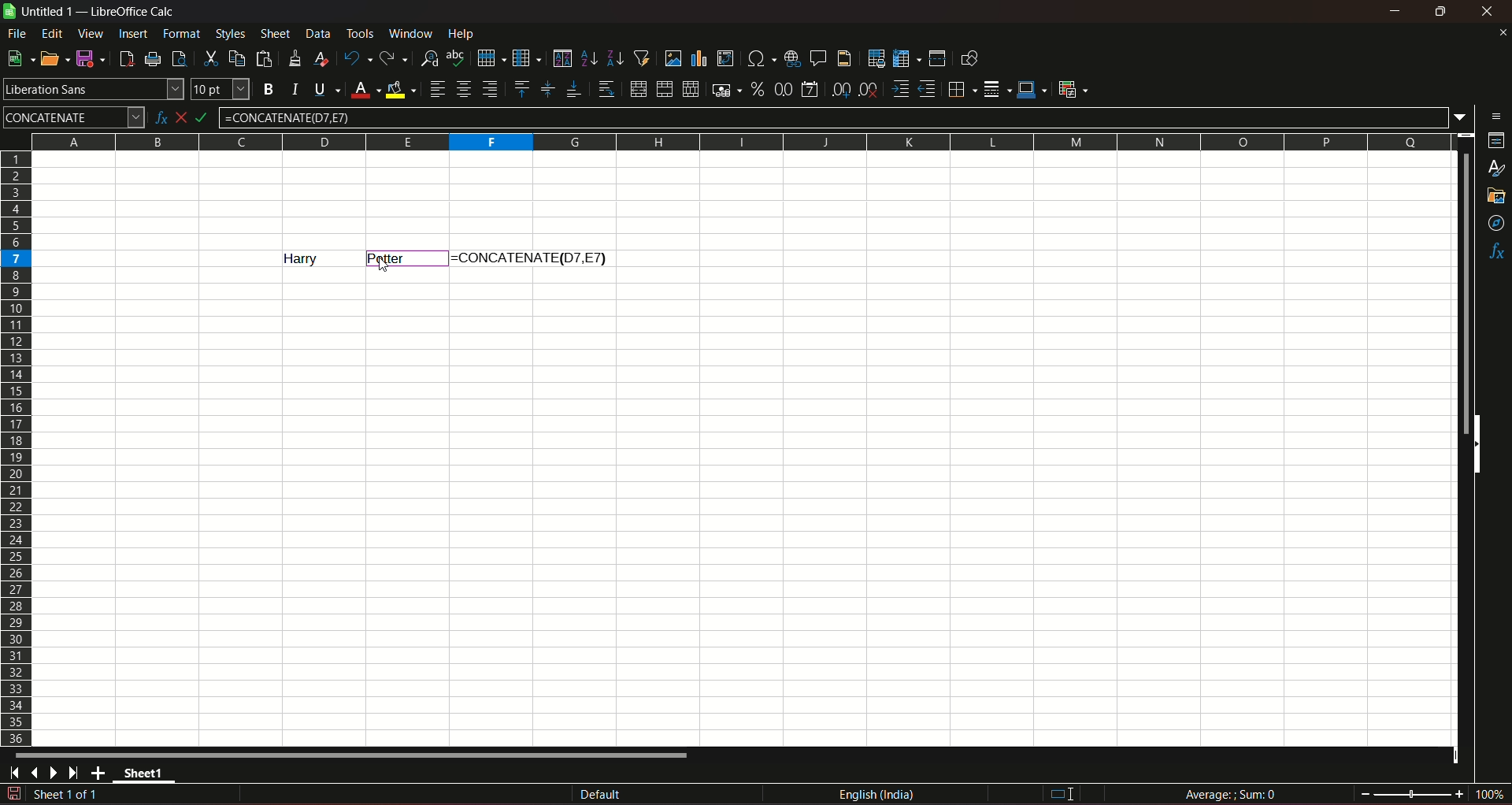 The width and height of the screenshot is (1512, 805). What do you see at coordinates (1490, 11) in the screenshot?
I see `close` at bounding box center [1490, 11].